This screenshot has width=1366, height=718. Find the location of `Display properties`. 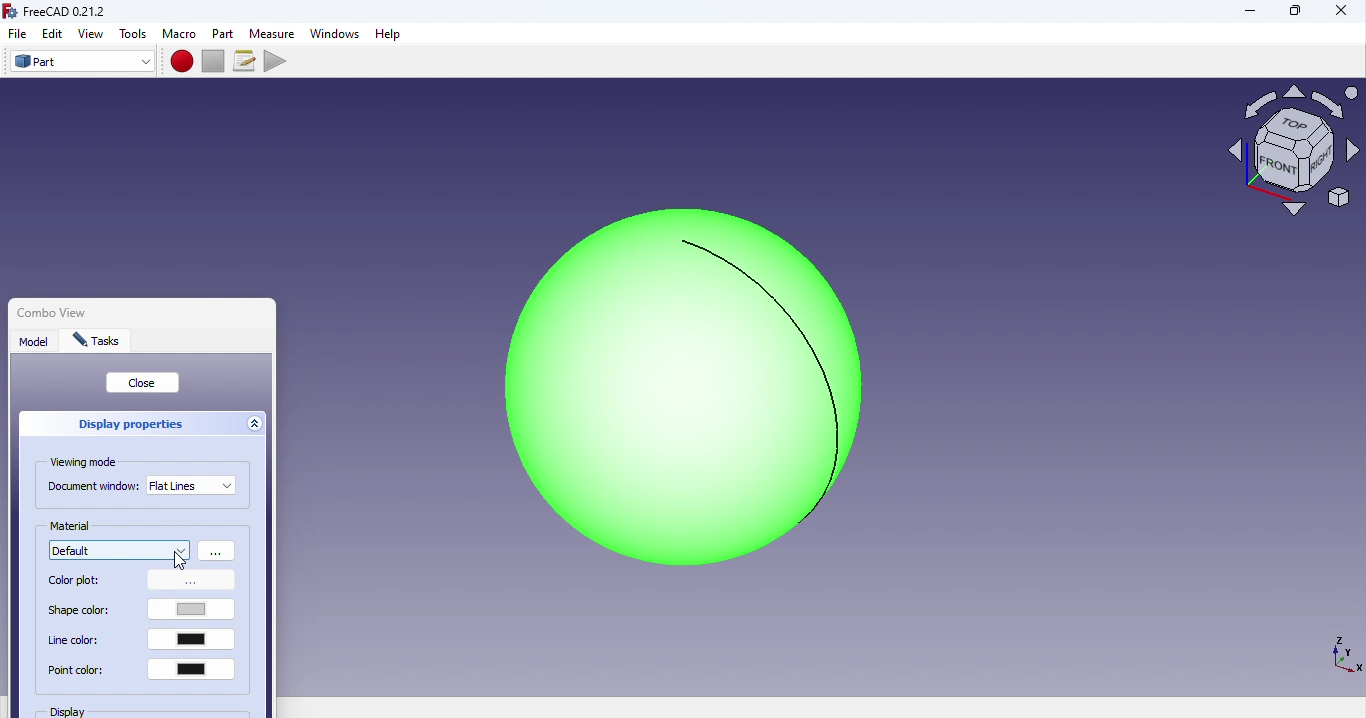

Display properties is located at coordinates (125, 424).